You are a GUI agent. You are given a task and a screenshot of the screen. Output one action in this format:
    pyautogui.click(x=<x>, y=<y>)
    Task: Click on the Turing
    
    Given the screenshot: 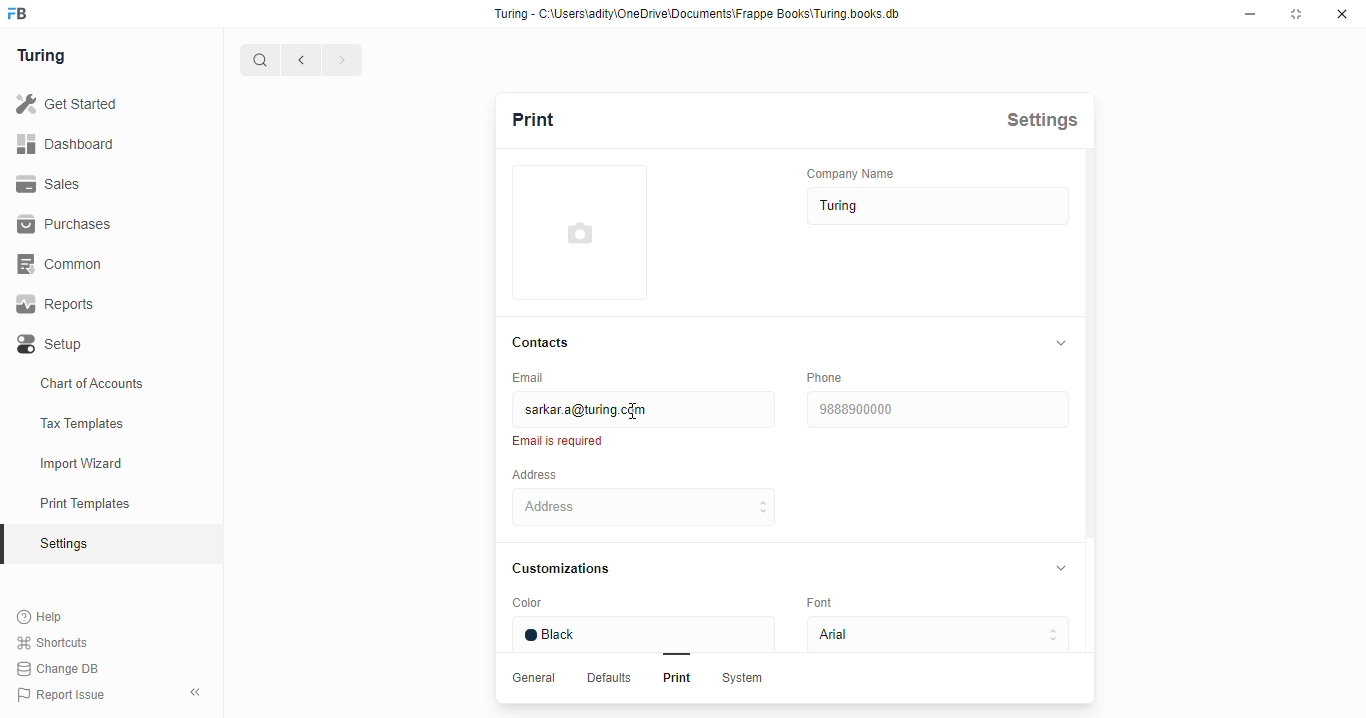 What is the action you would take?
    pyautogui.click(x=933, y=207)
    